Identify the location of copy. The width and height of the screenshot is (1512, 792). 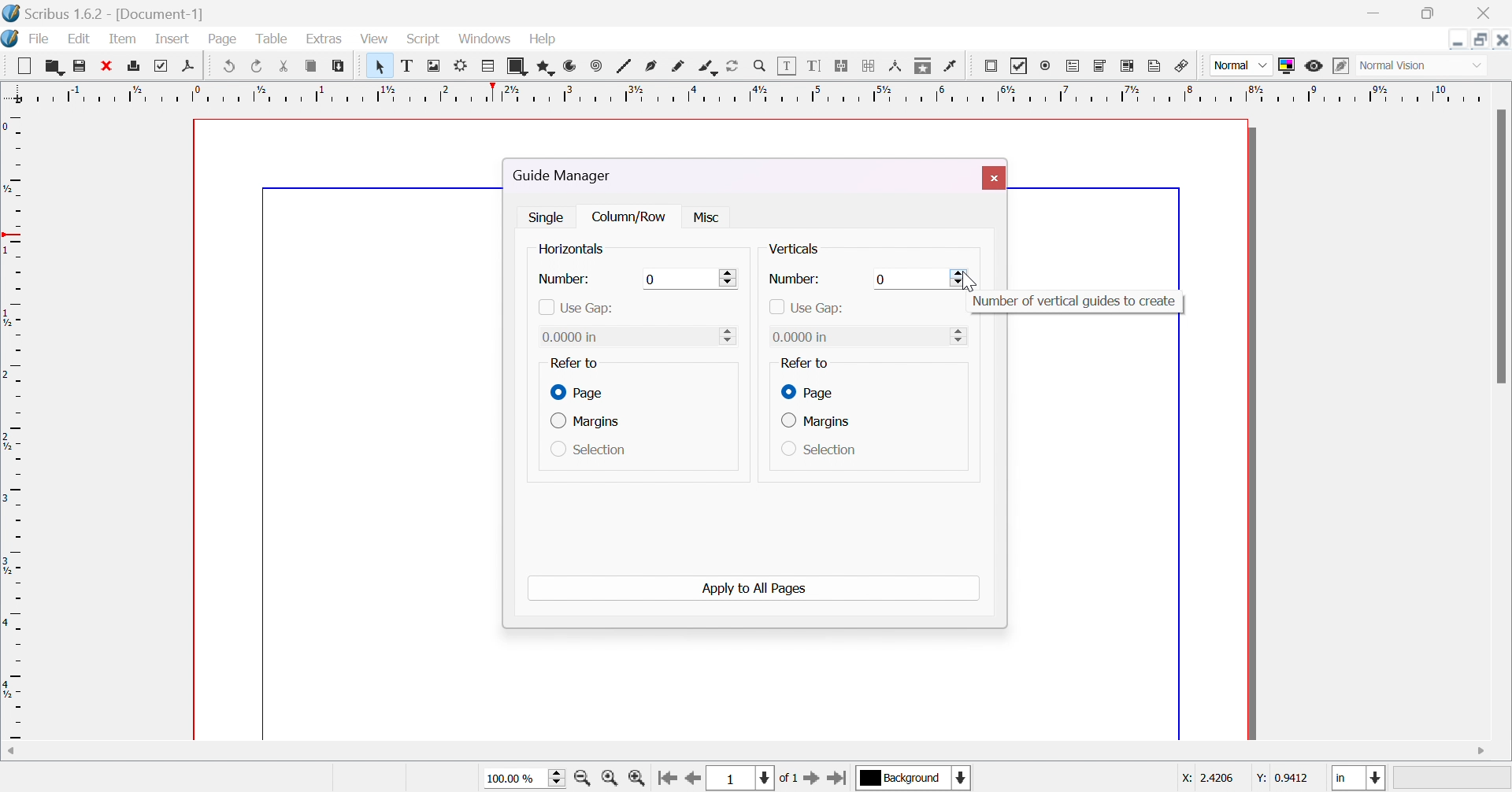
(313, 65).